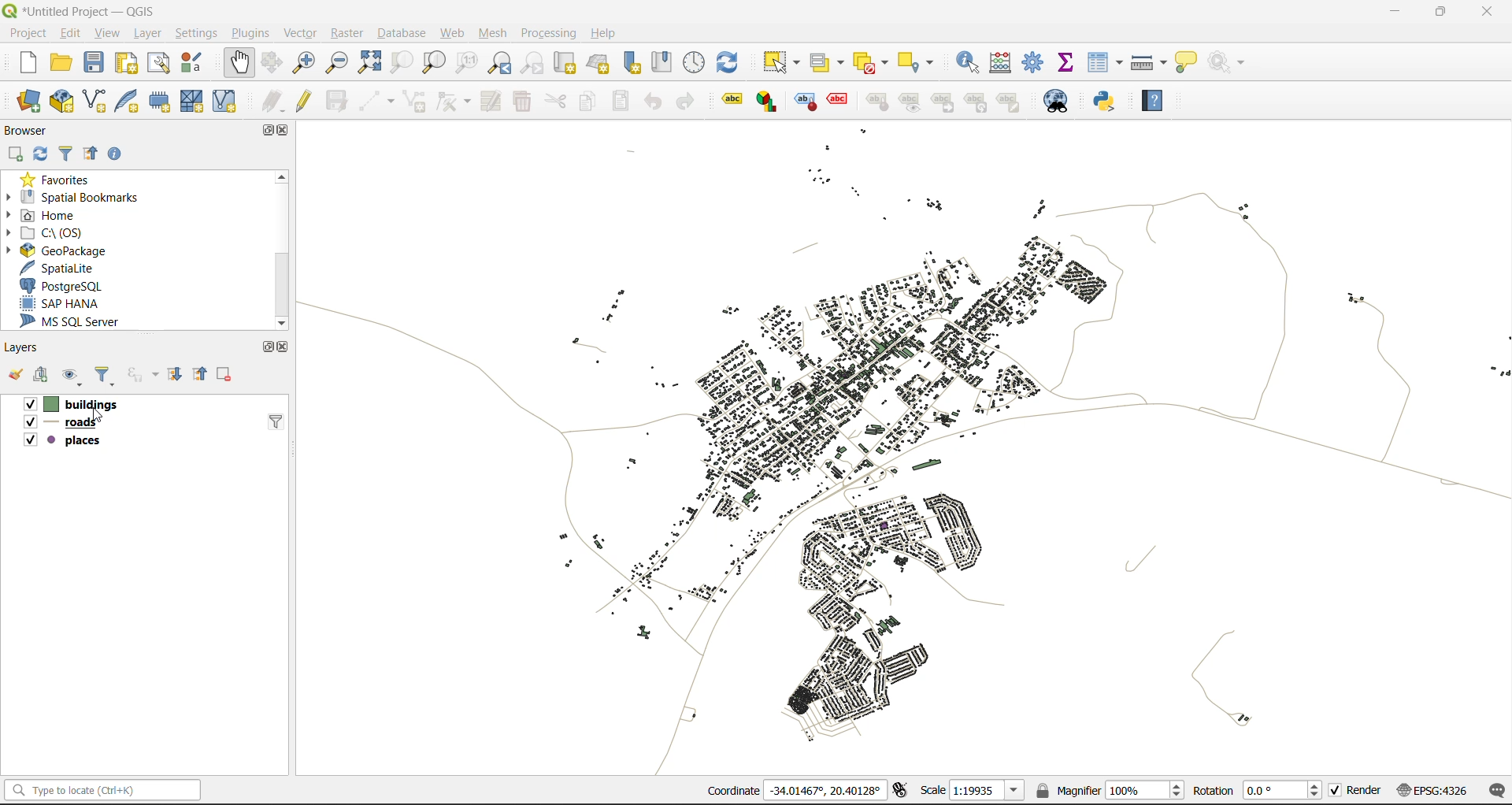  I want to click on Layer labeling , so click(732, 102).